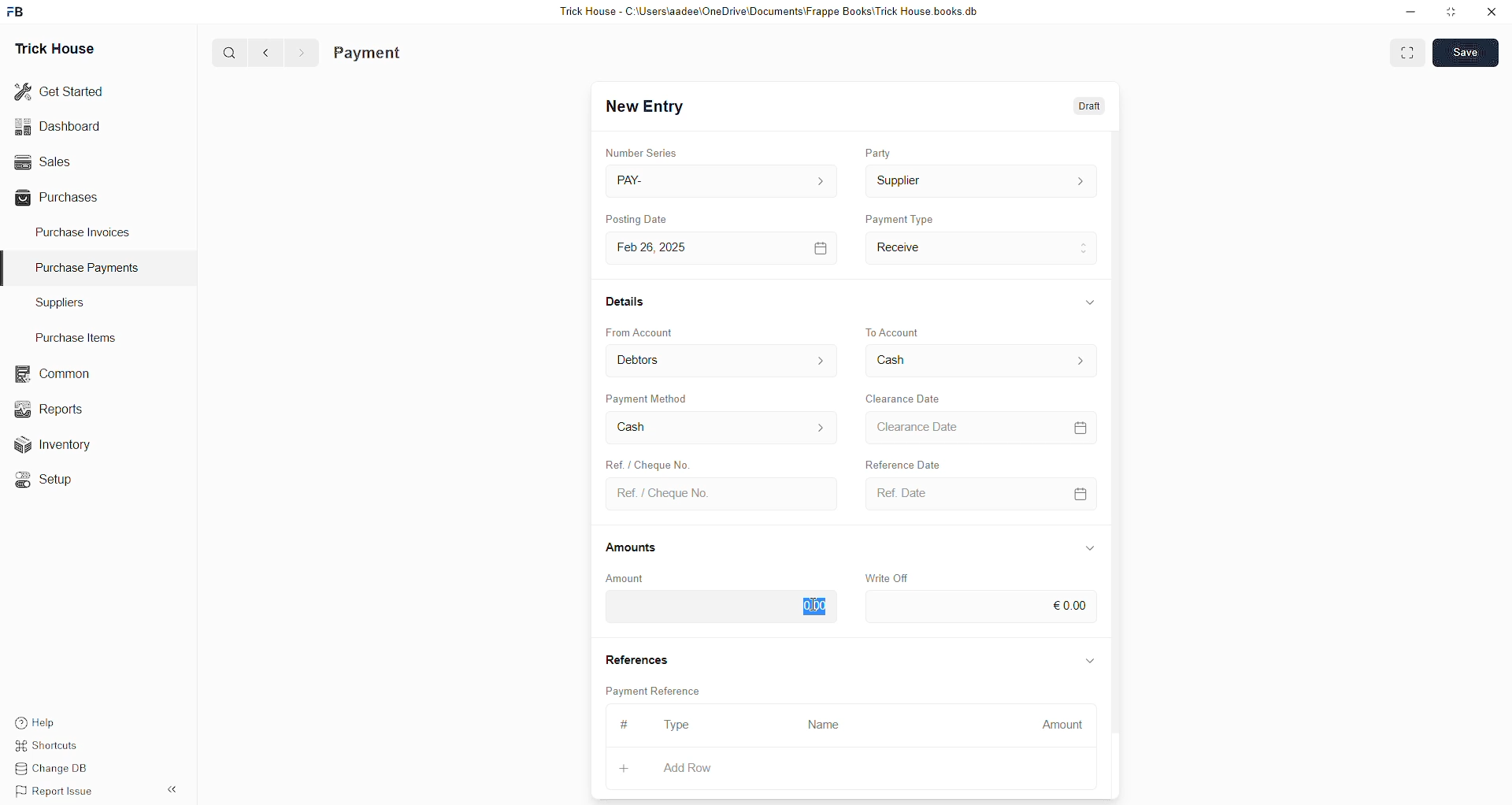 This screenshot has height=805, width=1512. I want to click on Feb 26, 2025 , so click(719, 247).